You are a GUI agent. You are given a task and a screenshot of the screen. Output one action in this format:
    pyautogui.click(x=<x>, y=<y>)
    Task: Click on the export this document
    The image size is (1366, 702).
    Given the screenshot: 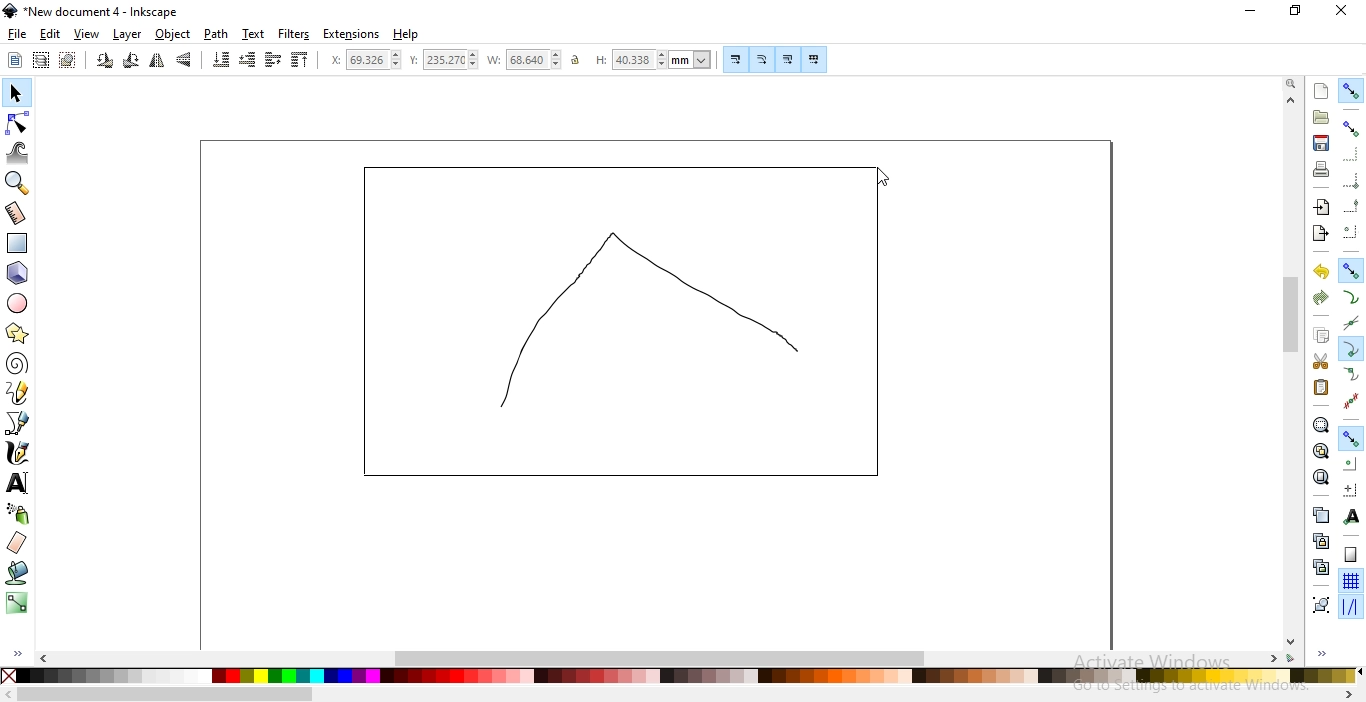 What is the action you would take?
    pyautogui.click(x=1319, y=234)
    